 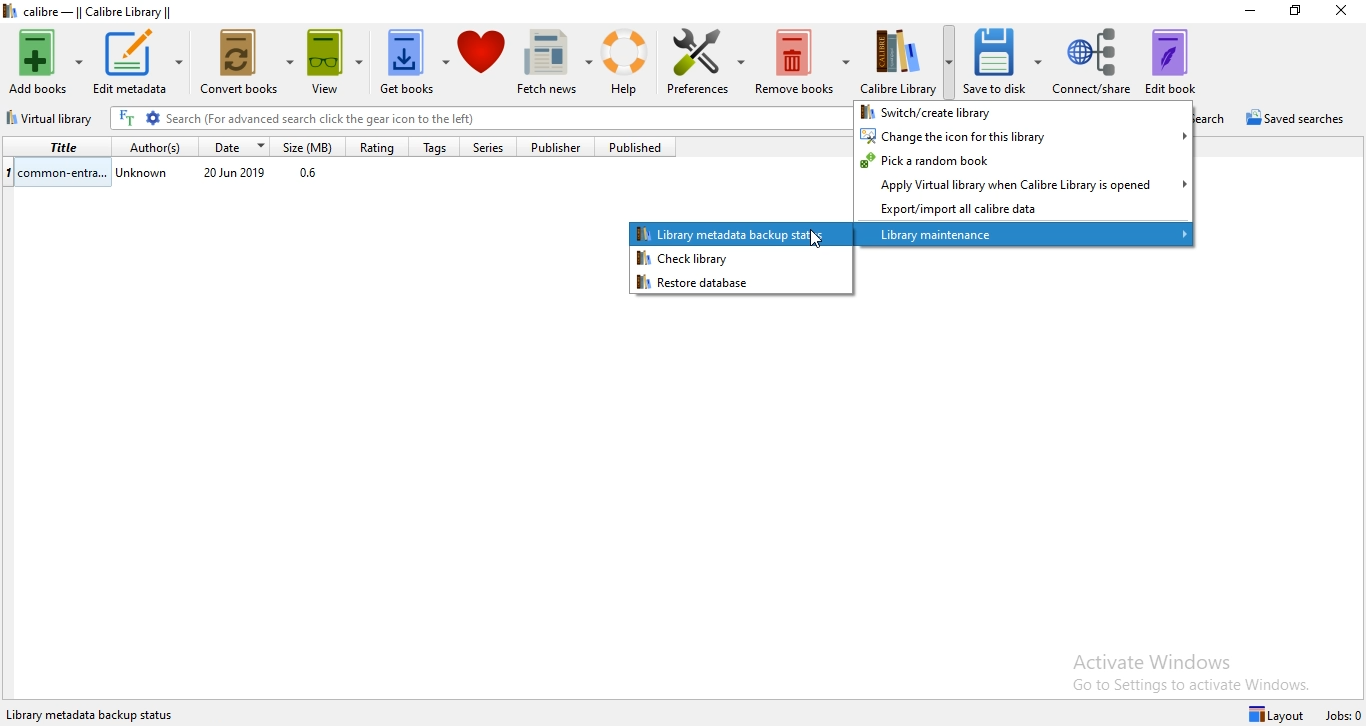 I want to click on pick a random book, so click(x=1024, y=161).